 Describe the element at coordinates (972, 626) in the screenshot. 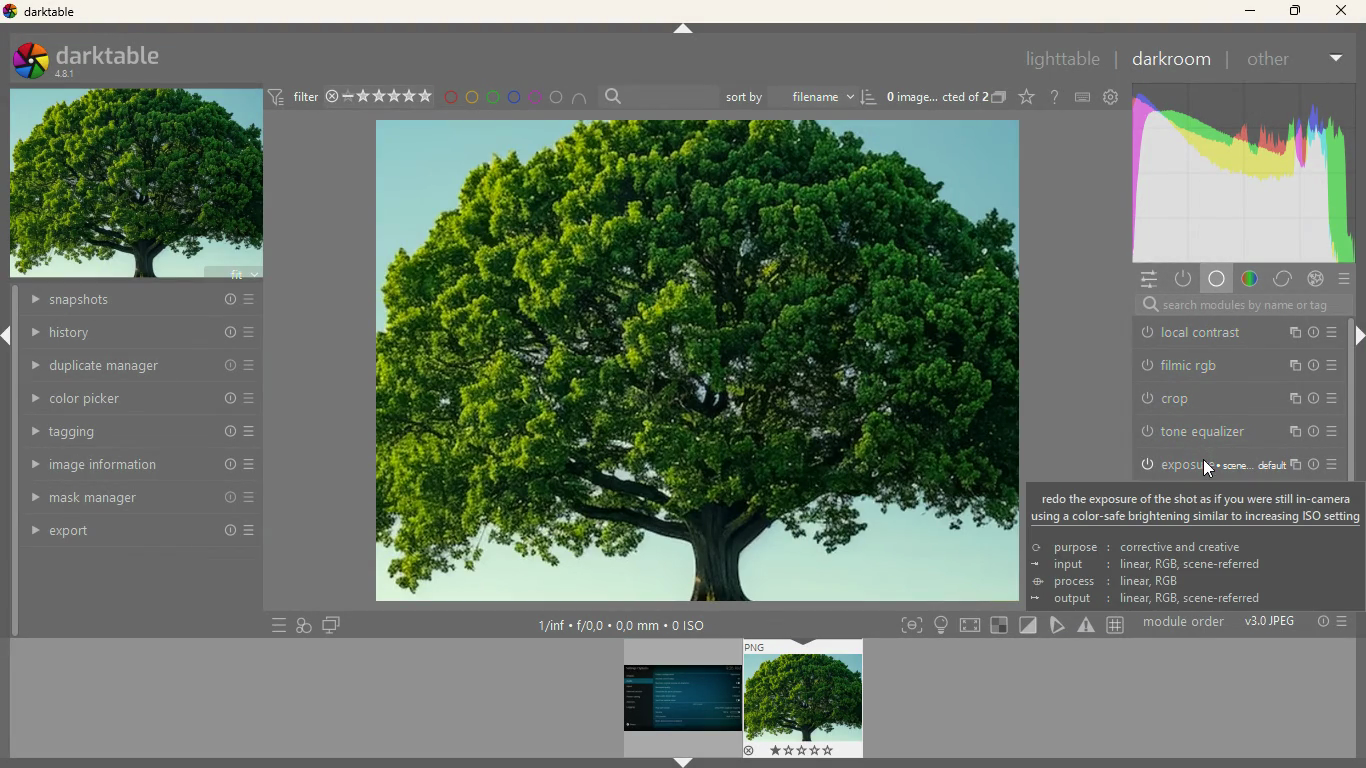

I see `screen` at that location.